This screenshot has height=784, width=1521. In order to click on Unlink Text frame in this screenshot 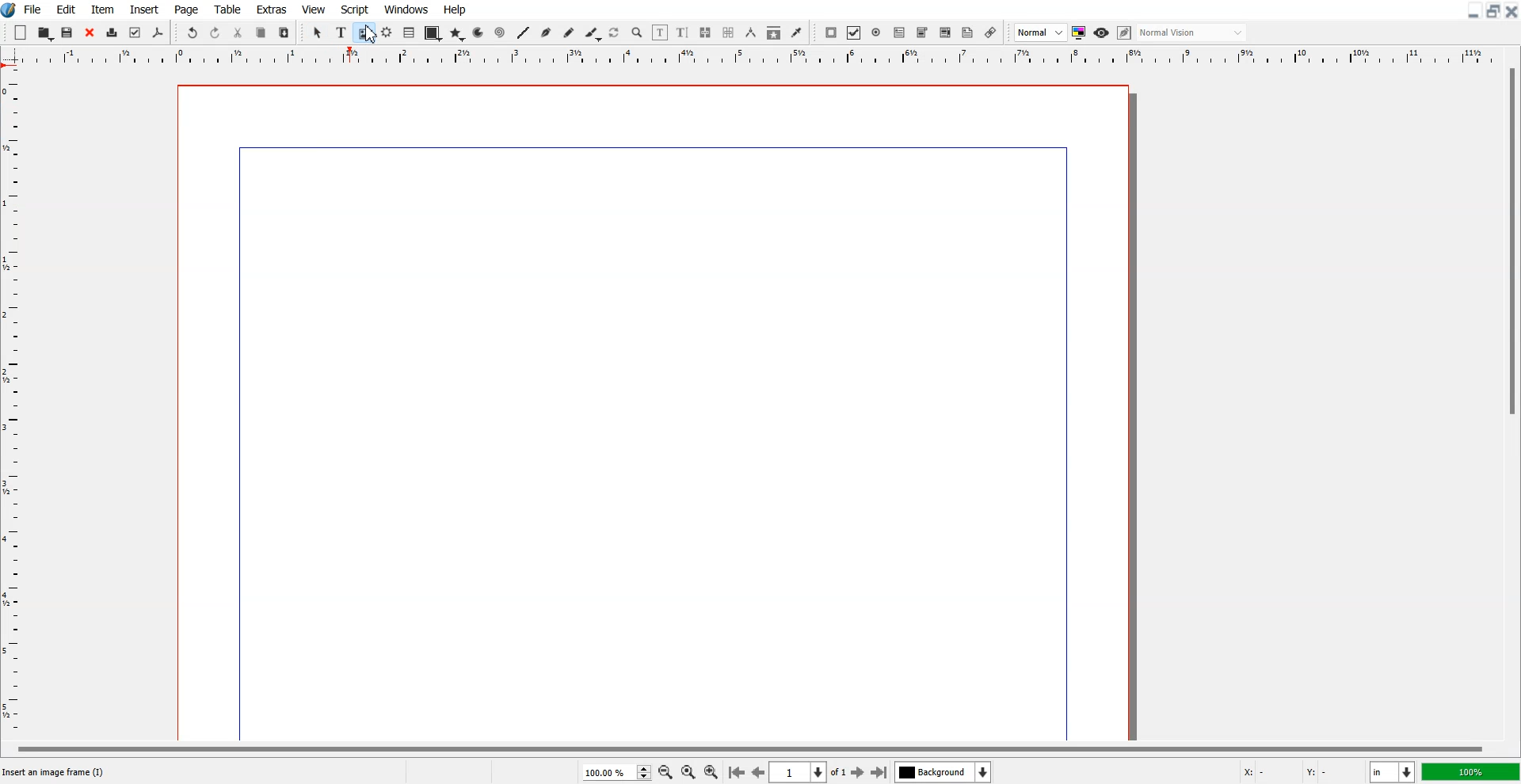, I will do `click(729, 32)`.